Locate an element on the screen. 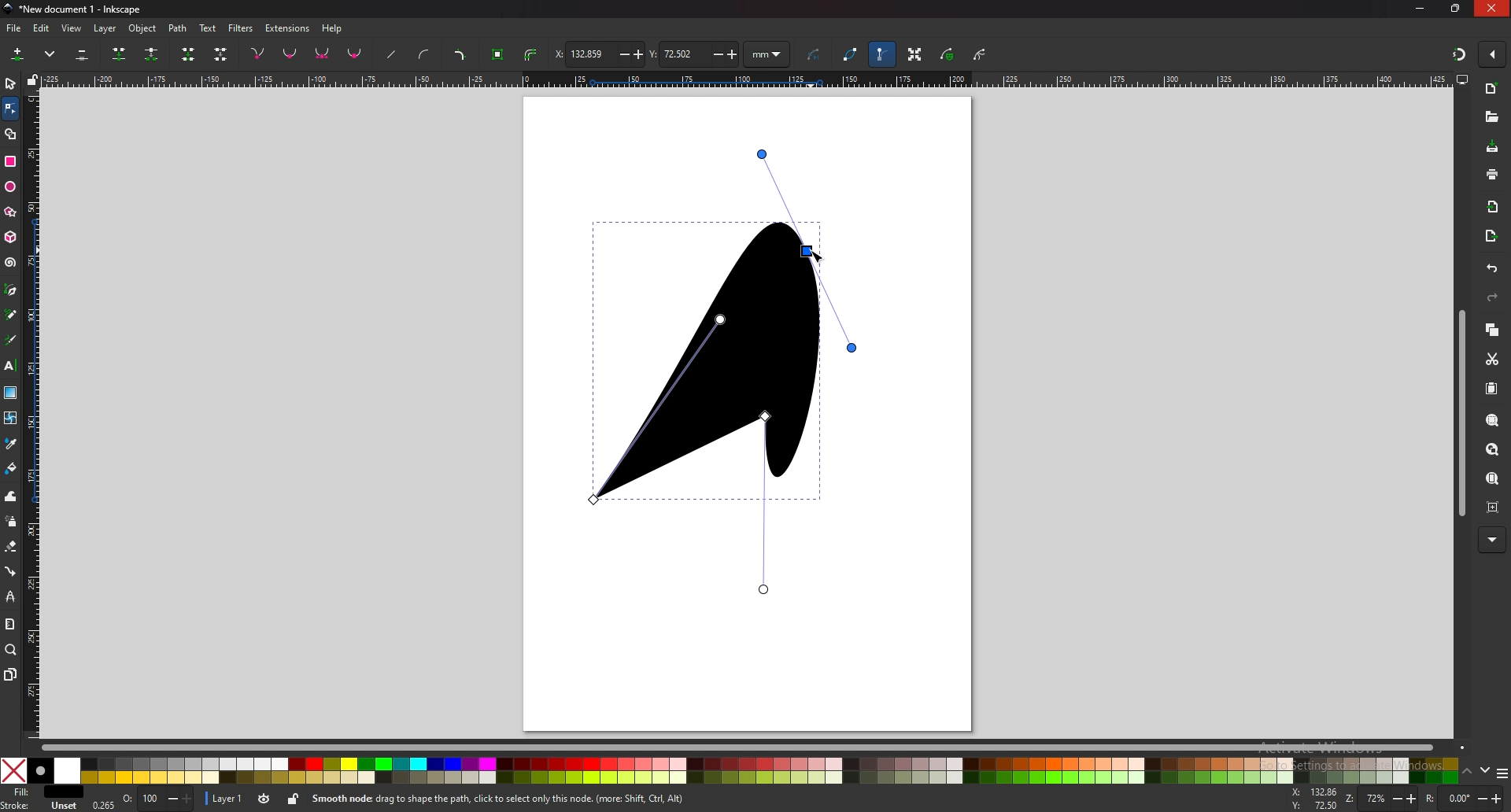 This screenshot has width=1511, height=812. scroll bar is located at coordinates (755, 747).